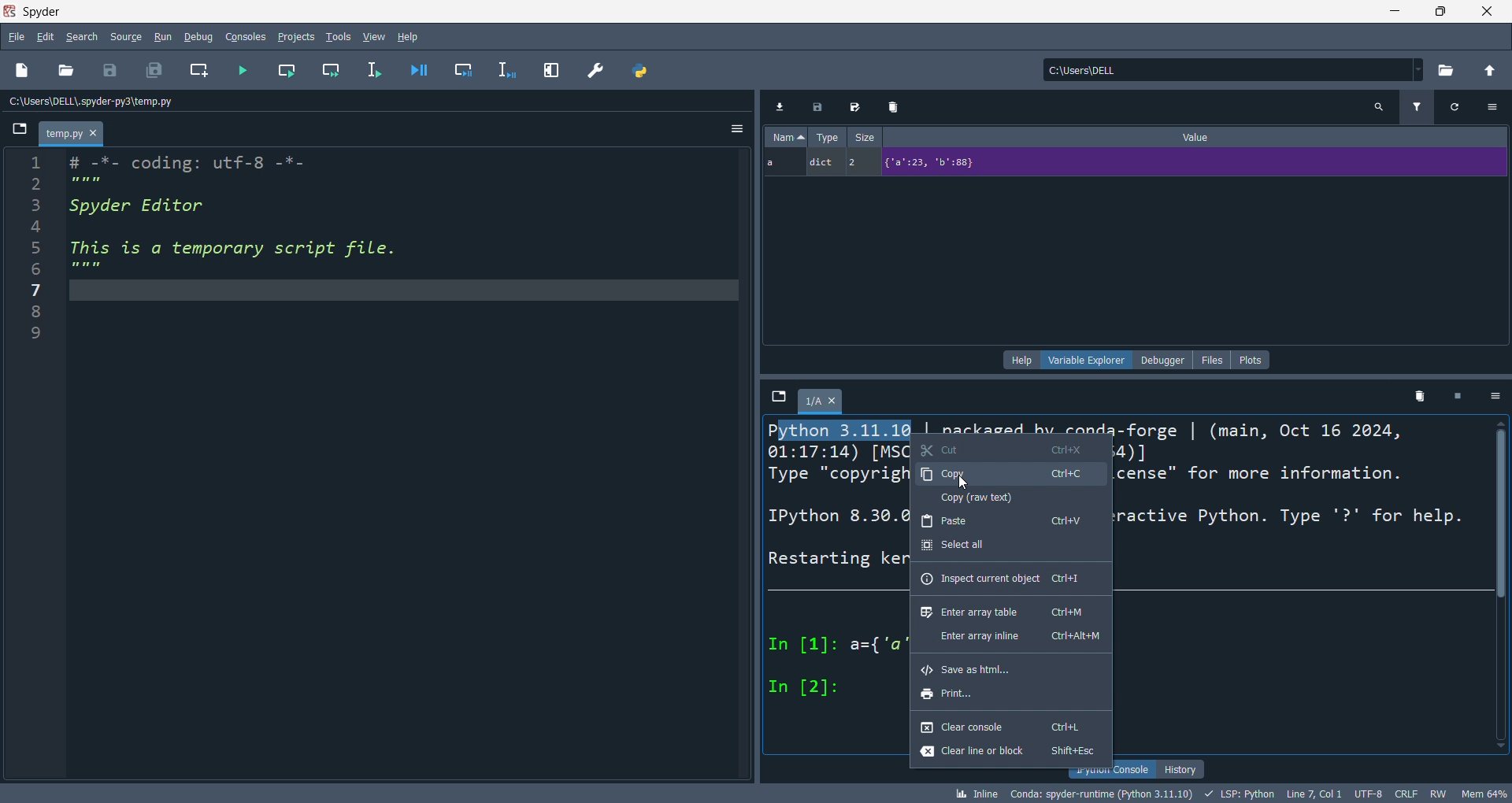 The image size is (1512, 803). I want to click on open parent directory, so click(1492, 72).